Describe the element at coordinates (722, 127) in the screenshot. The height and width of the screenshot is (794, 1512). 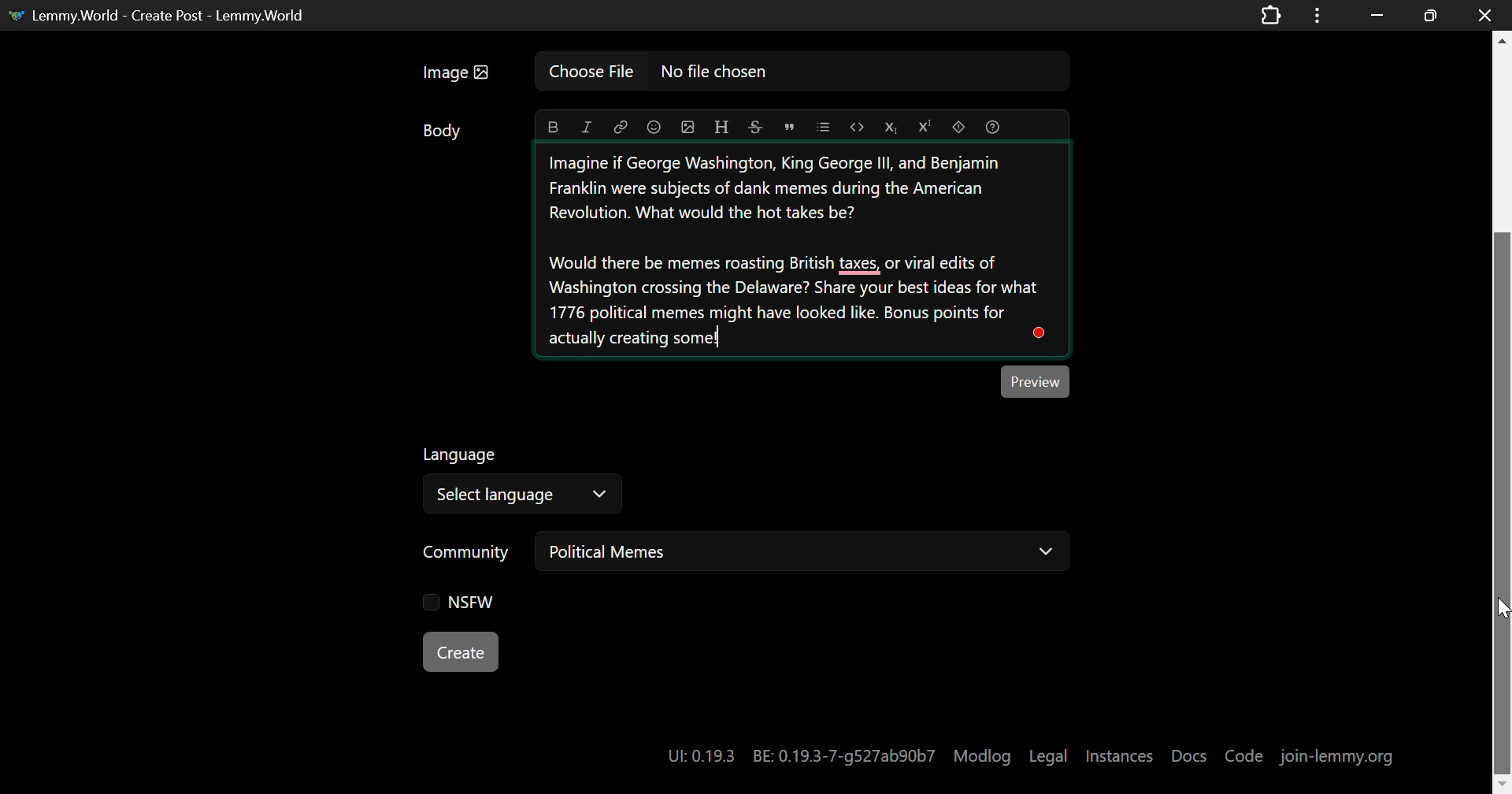
I see `Header` at that location.